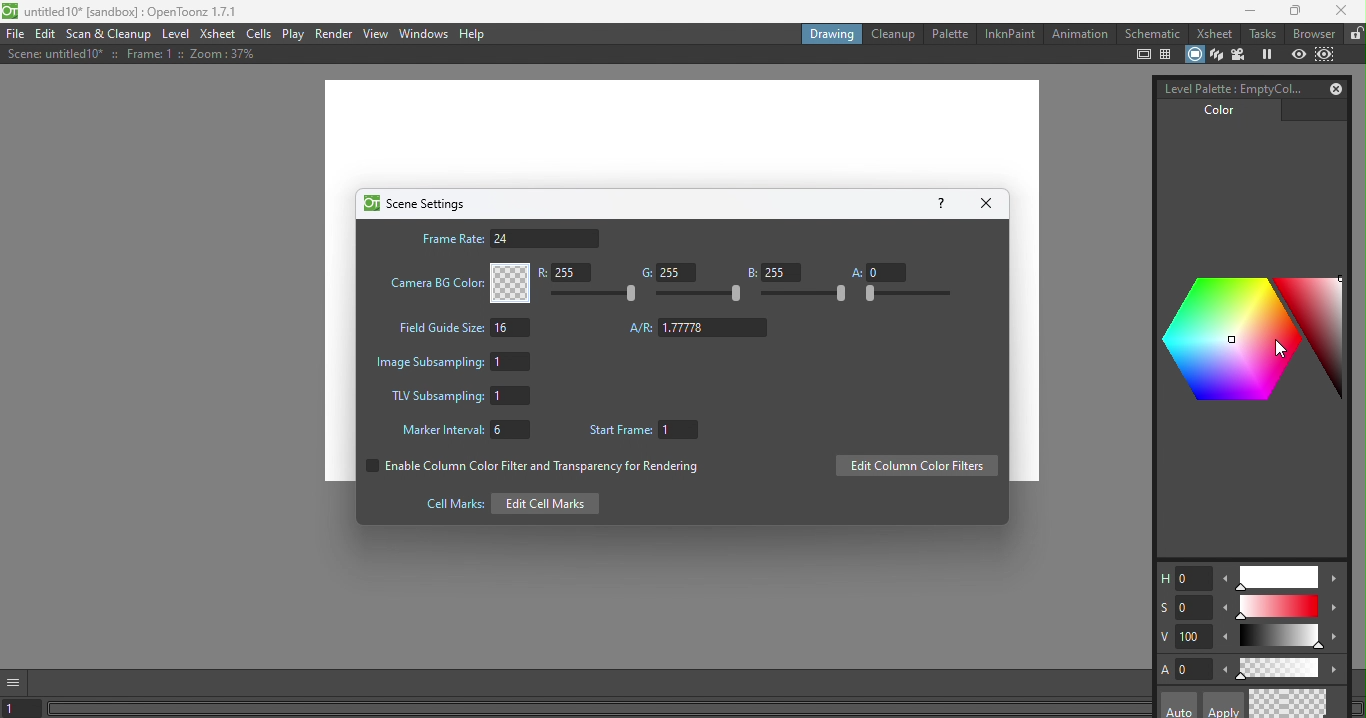 This screenshot has height=718, width=1366. I want to click on Field guide size, so click(461, 330).